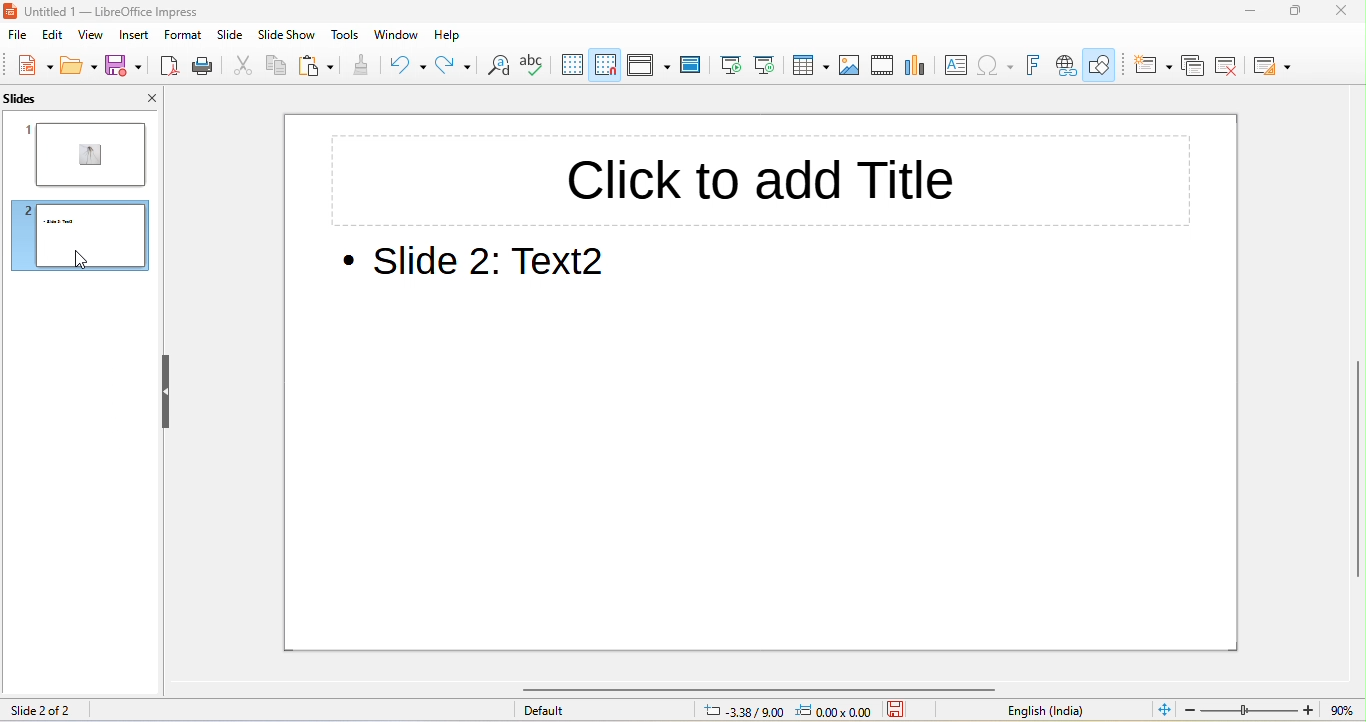 This screenshot has width=1366, height=722. I want to click on click to add title, so click(760, 179).